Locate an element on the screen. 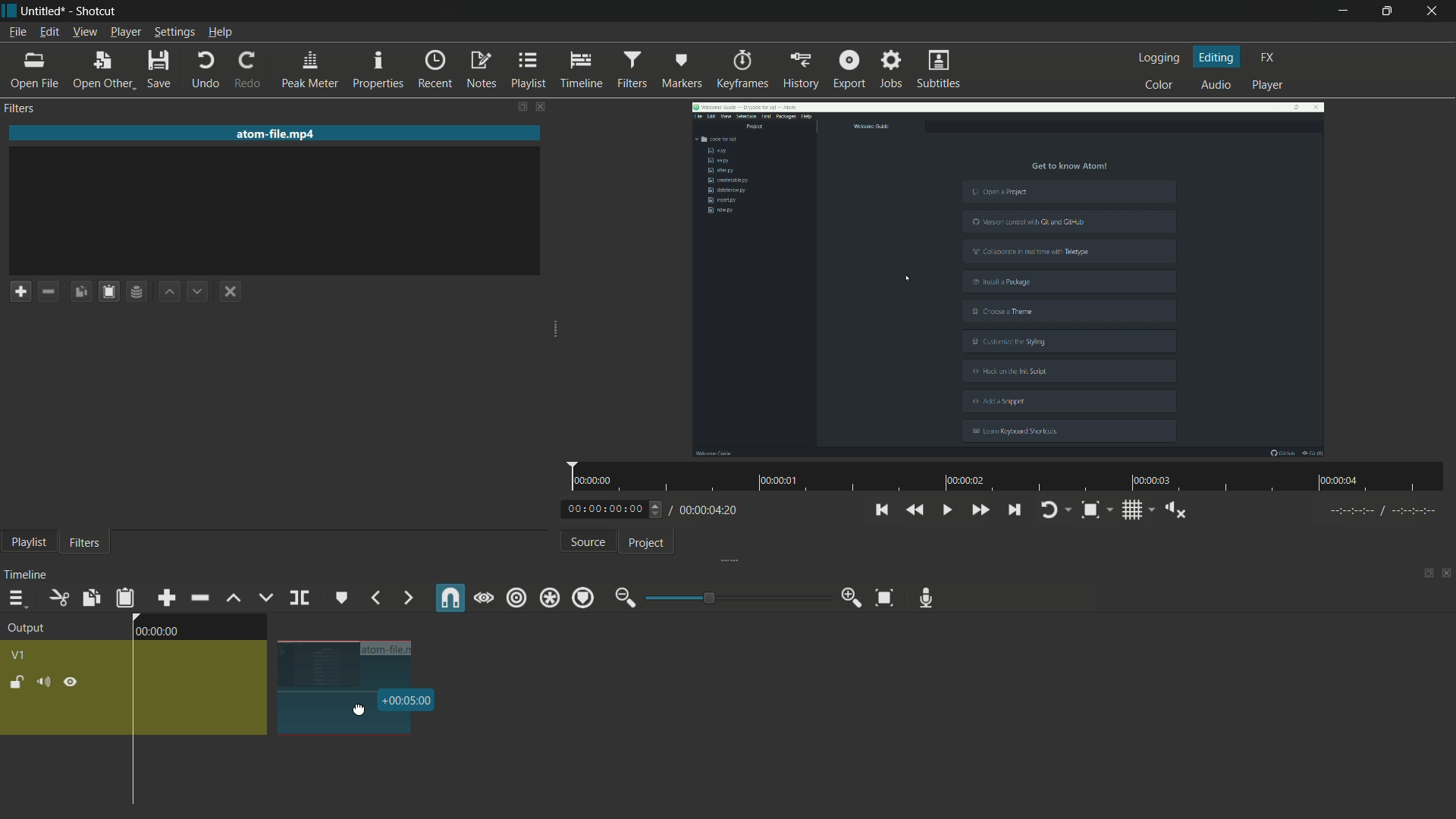 The image size is (1456, 819). open other is located at coordinates (102, 70).